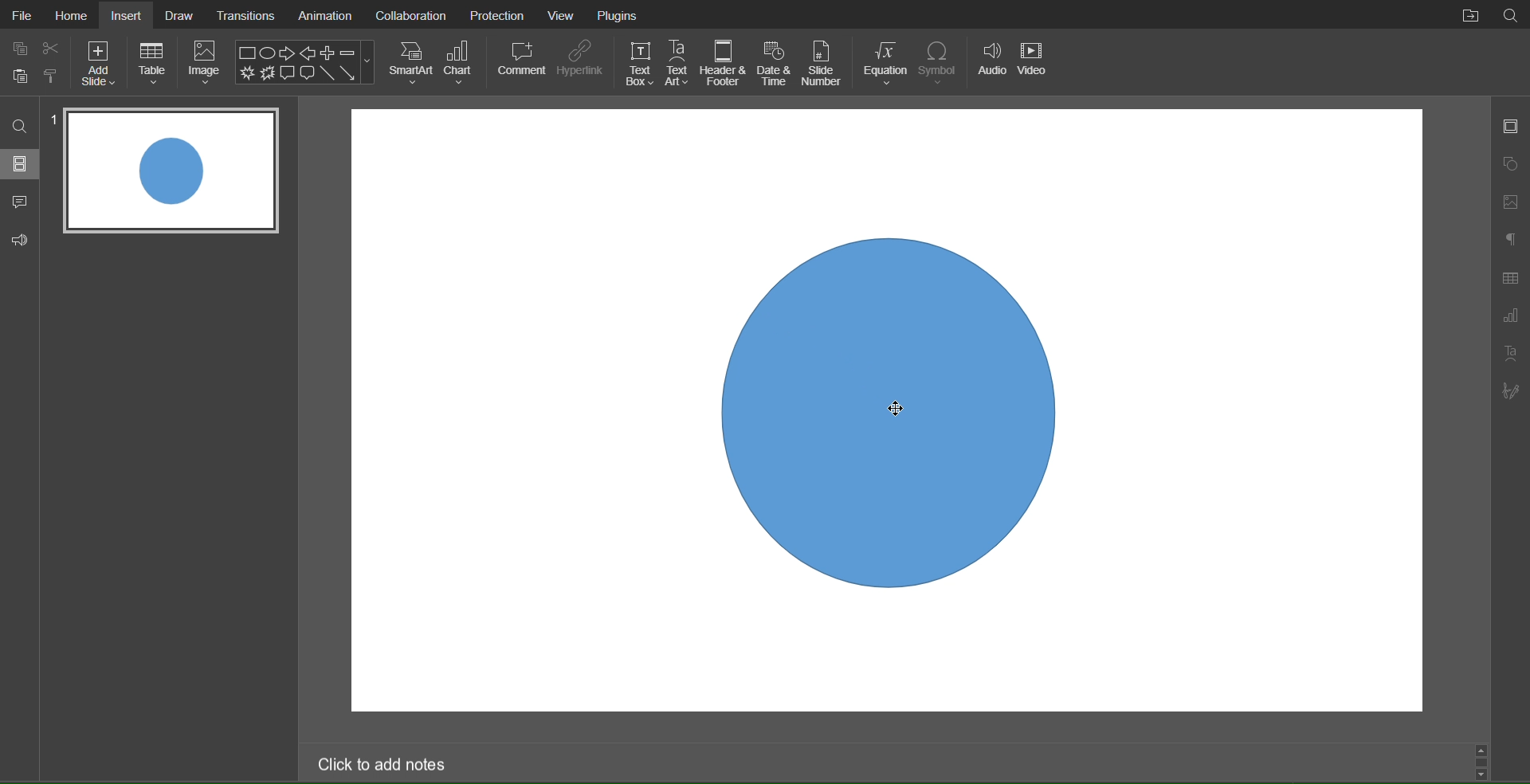 The height and width of the screenshot is (784, 1530). Describe the element at coordinates (462, 64) in the screenshot. I see `Chart` at that location.